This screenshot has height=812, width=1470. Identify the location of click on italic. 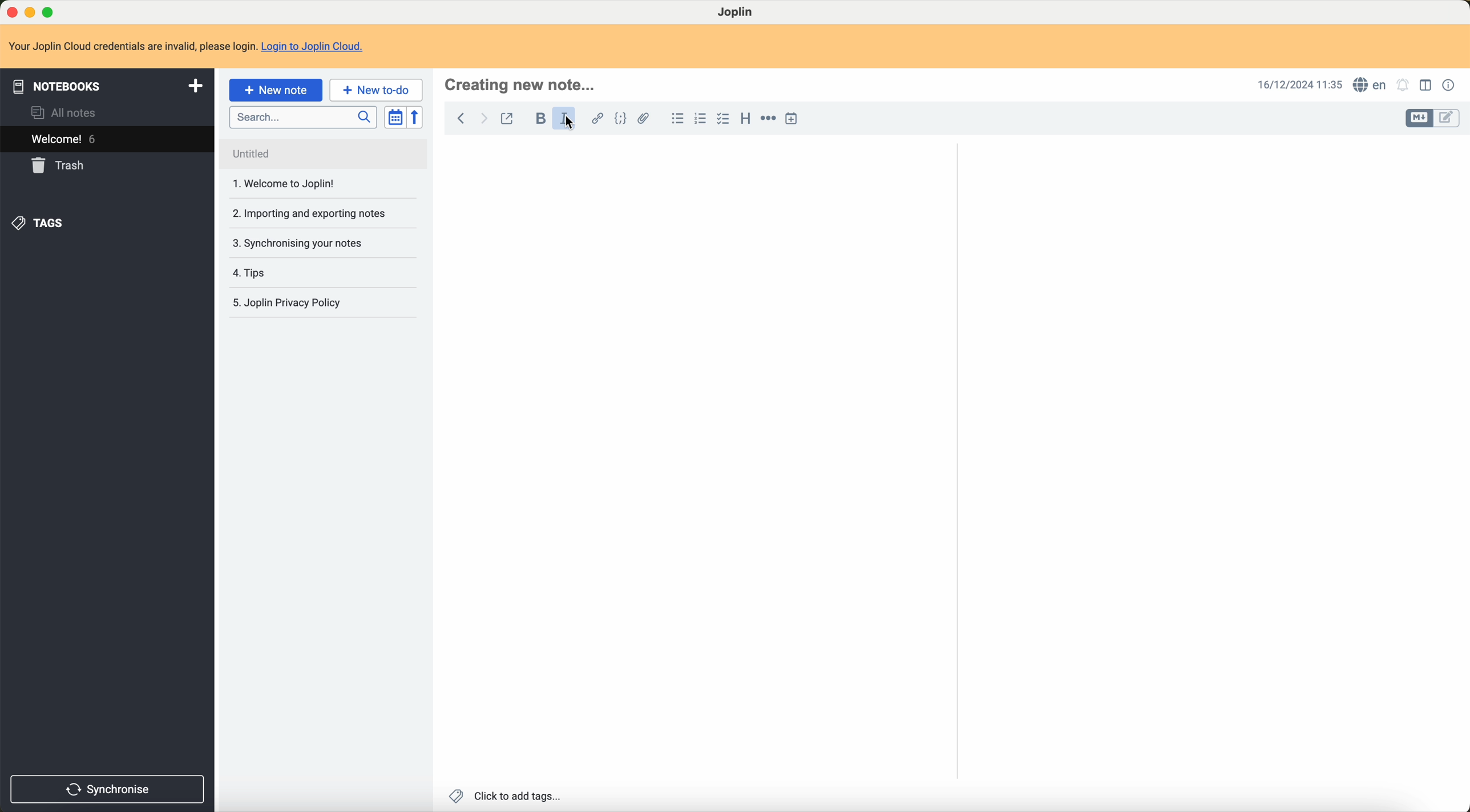
(572, 125).